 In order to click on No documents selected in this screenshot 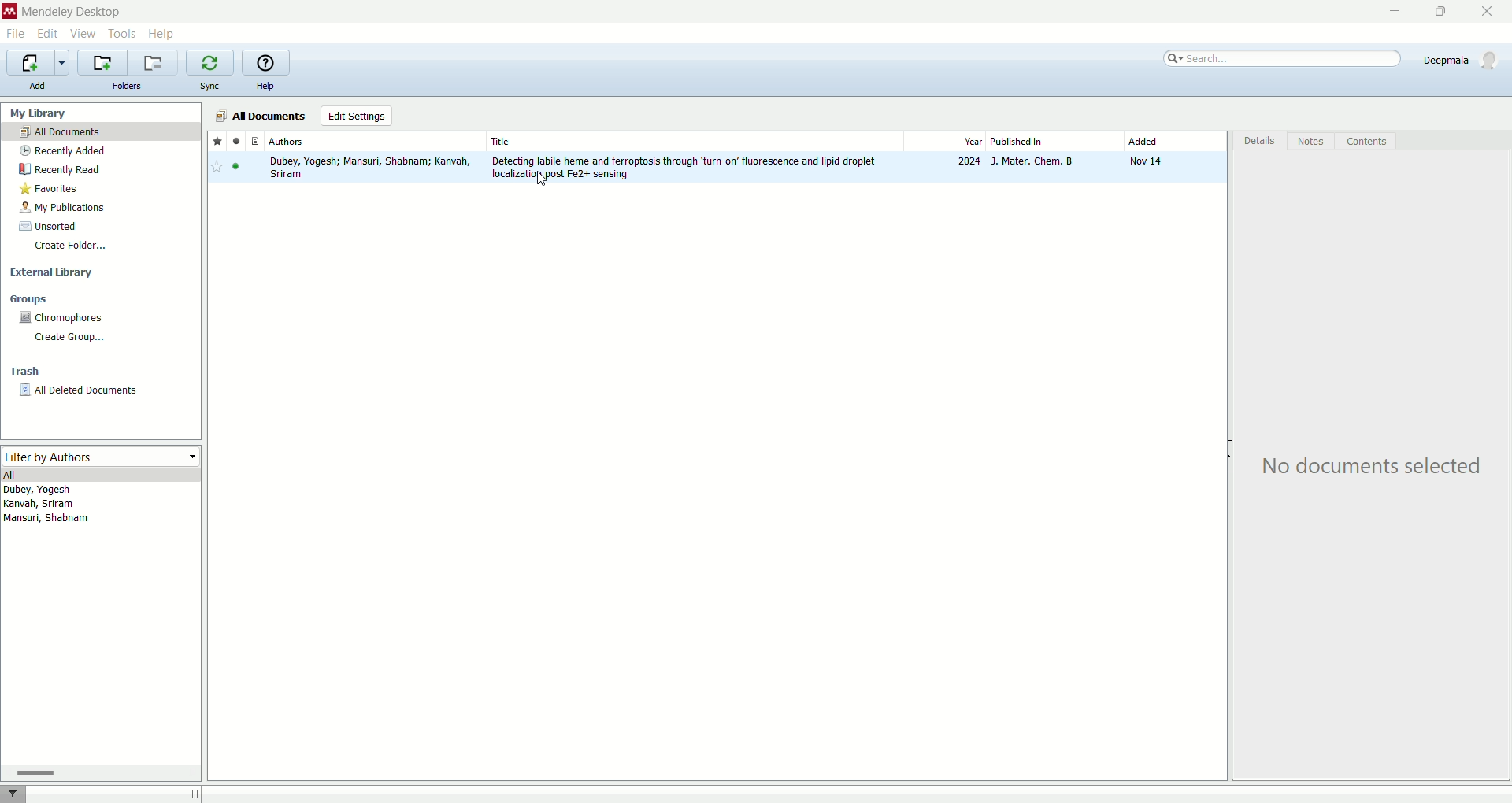, I will do `click(1377, 468)`.